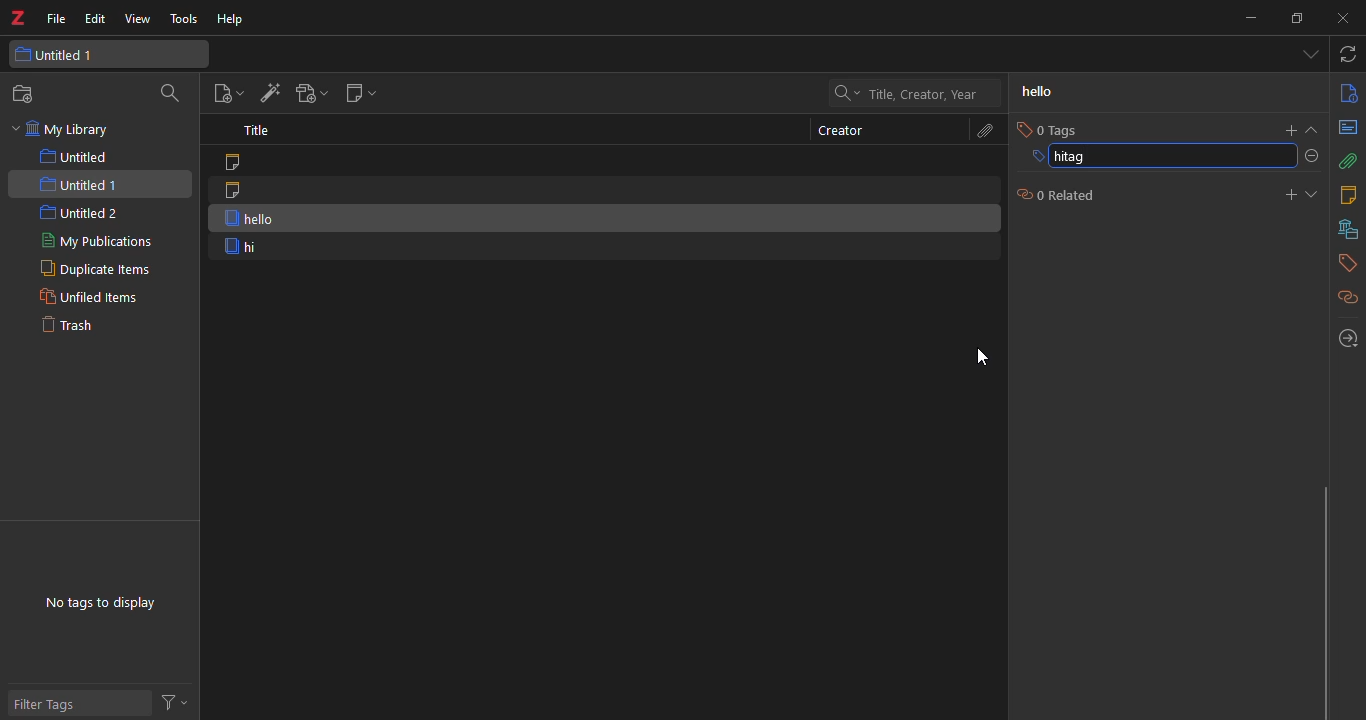 This screenshot has width=1366, height=720. What do you see at coordinates (24, 95) in the screenshot?
I see `new collection` at bounding box center [24, 95].